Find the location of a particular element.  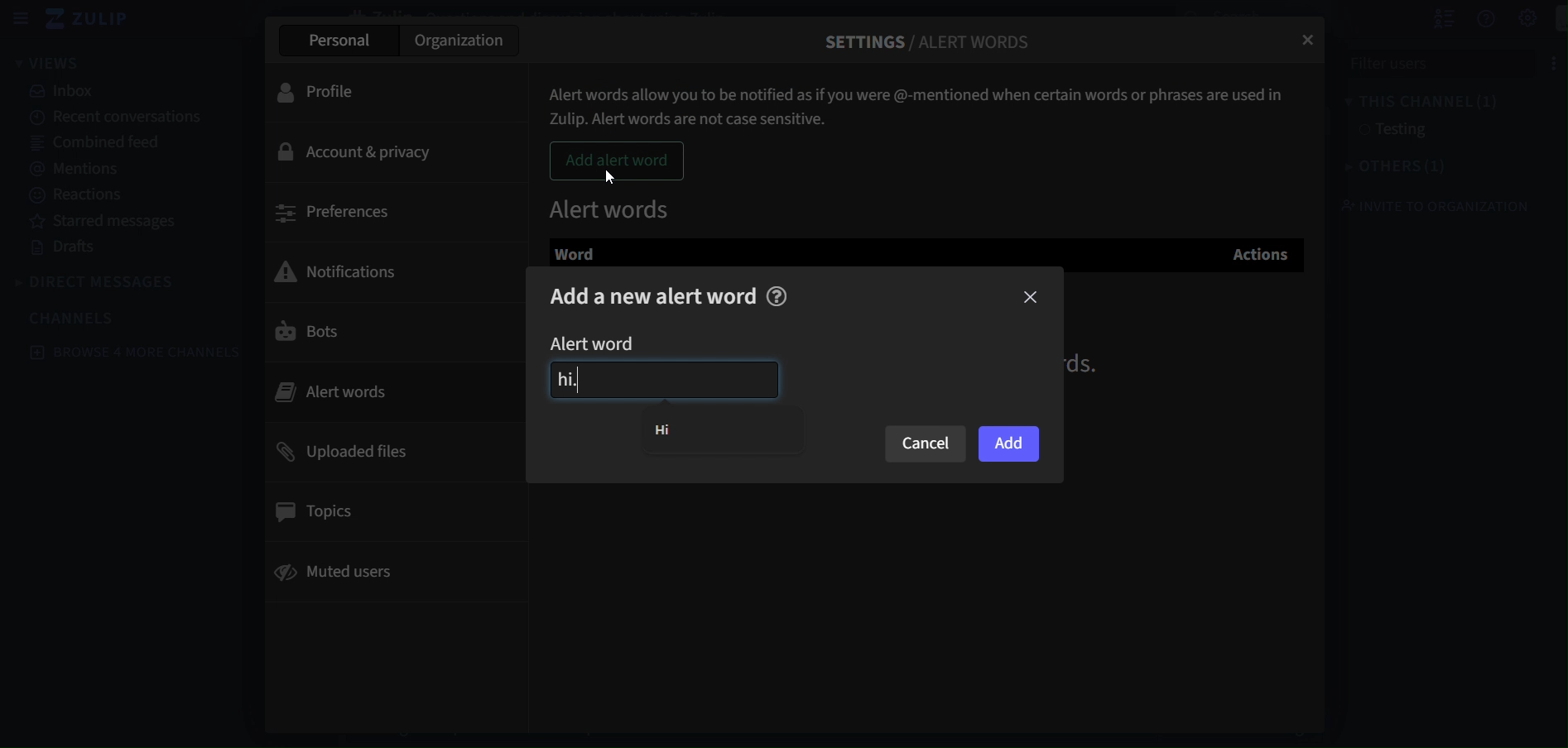

drafts is located at coordinates (71, 250).